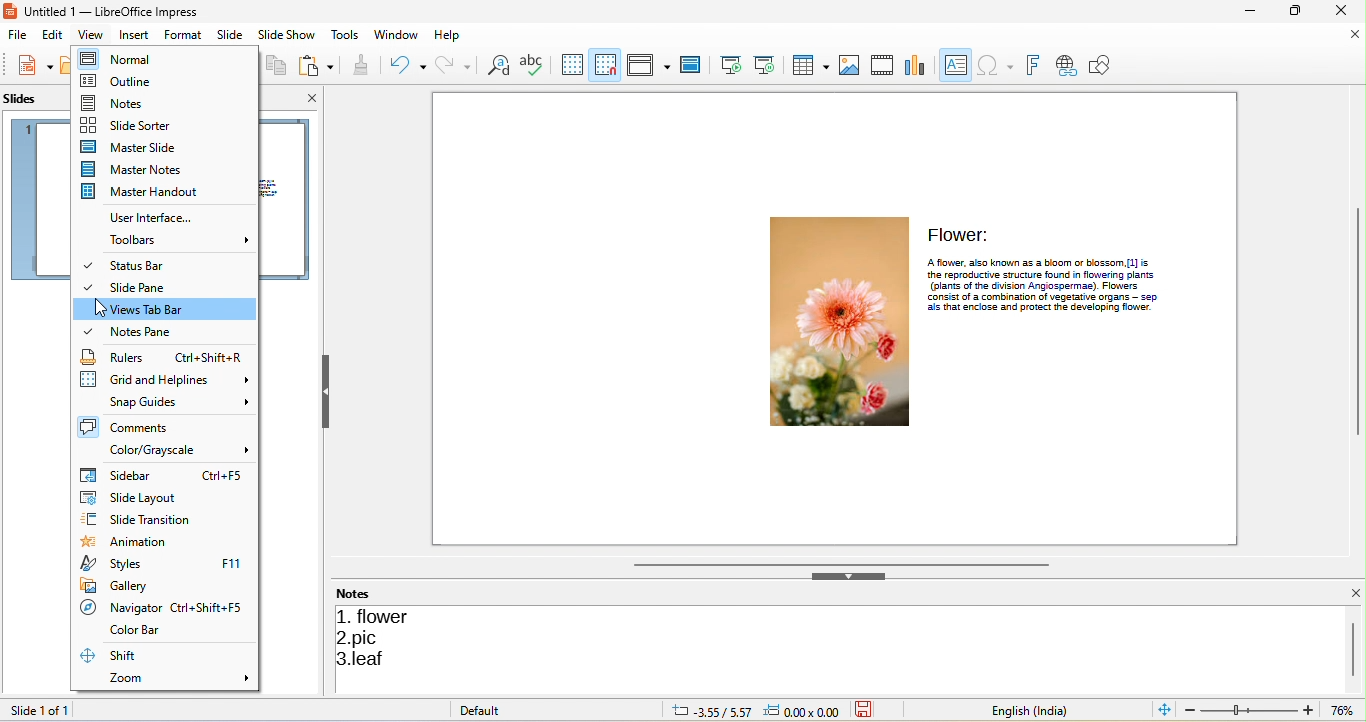  I want to click on current zoom, so click(1347, 710).